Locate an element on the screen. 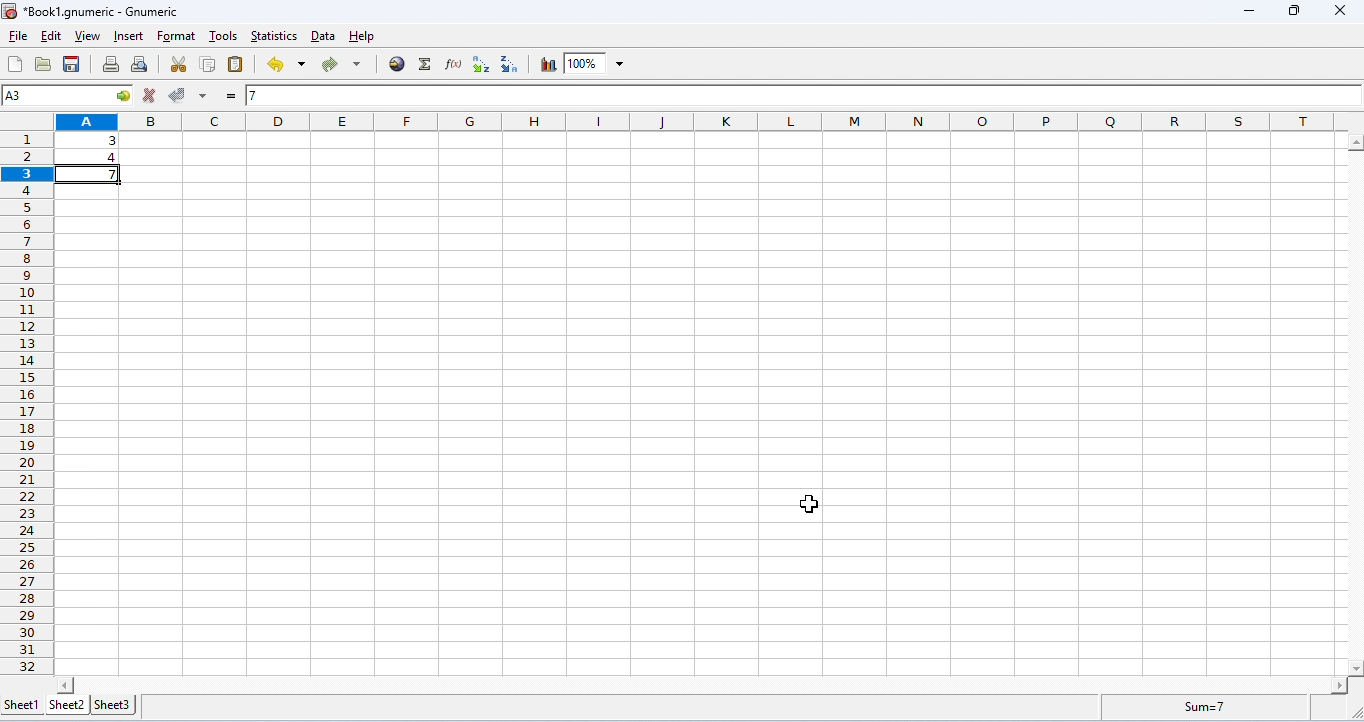  view is located at coordinates (89, 37).